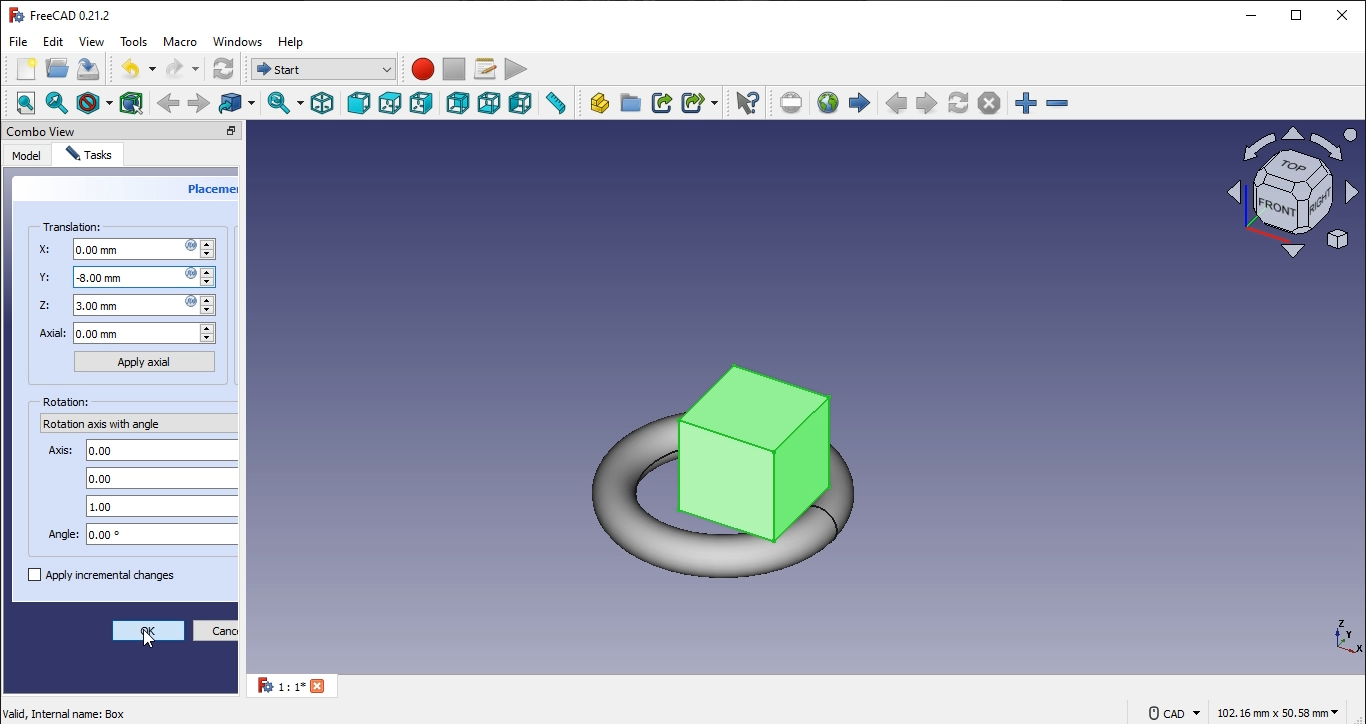  I want to click on execute macro recording, so click(515, 70).